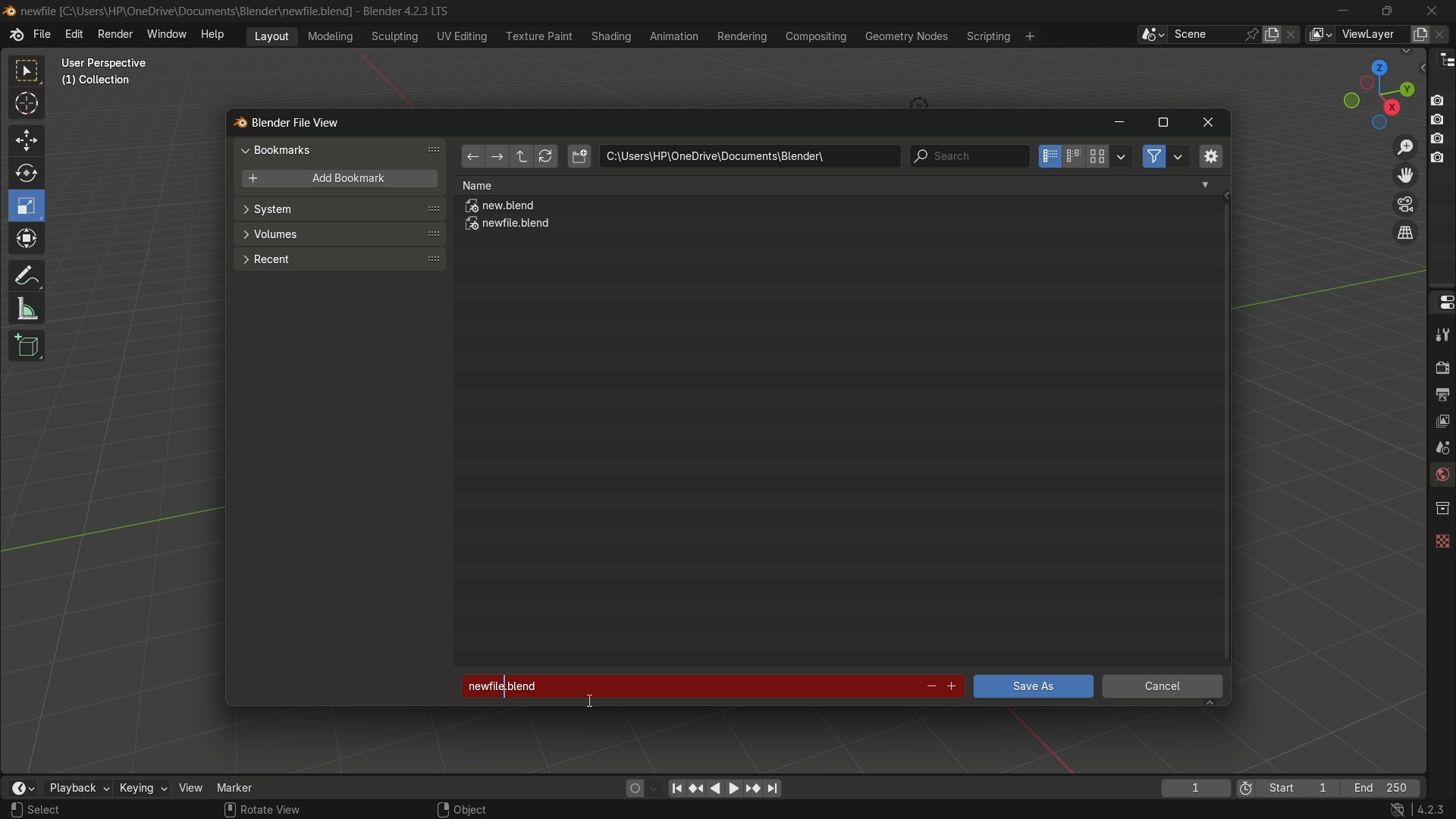 Image resolution: width=1456 pixels, height=819 pixels. What do you see at coordinates (1275, 34) in the screenshot?
I see `new scene` at bounding box center [1275, 34].